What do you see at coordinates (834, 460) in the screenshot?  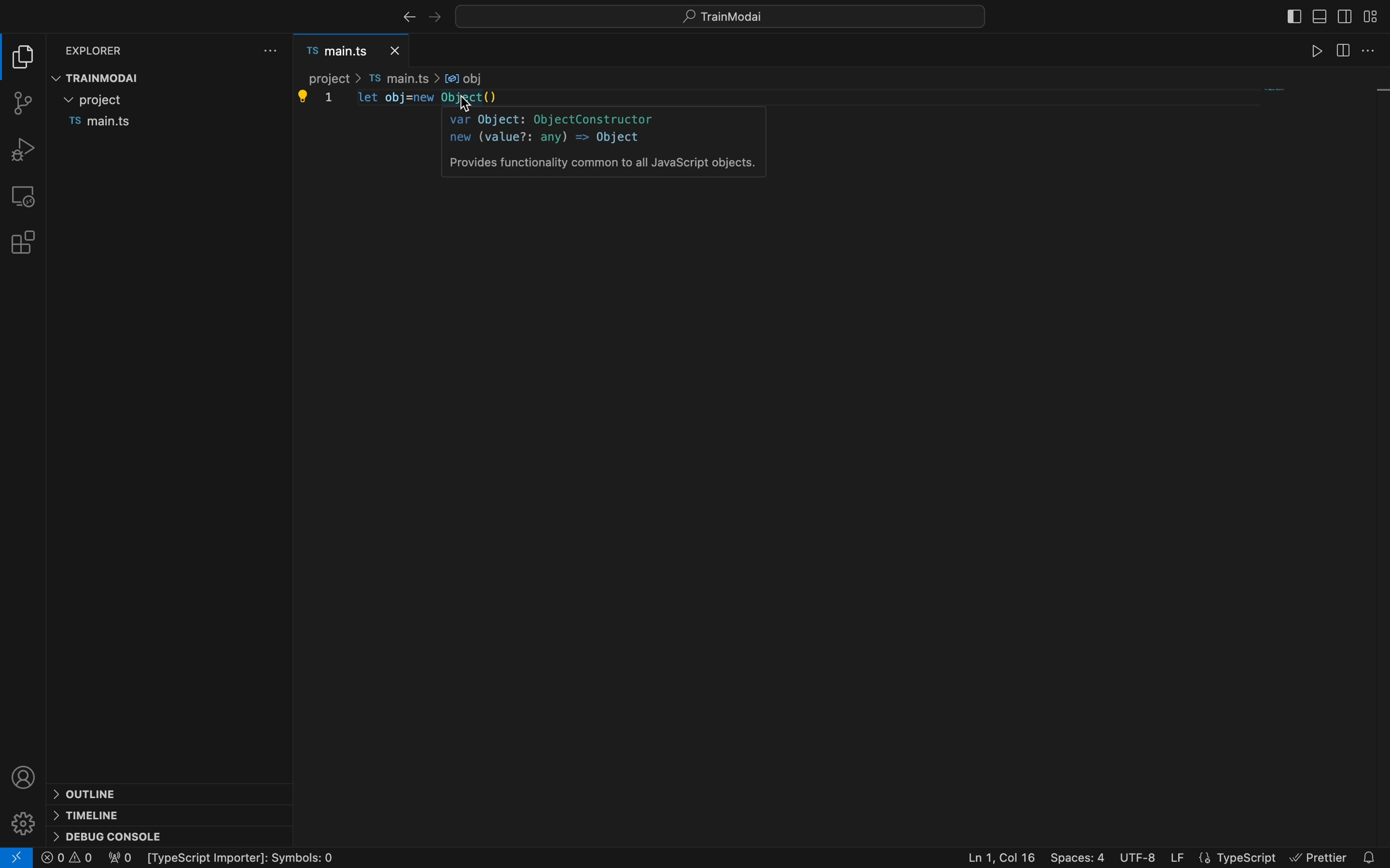 I see `file content` at bounding box center [834, 460].